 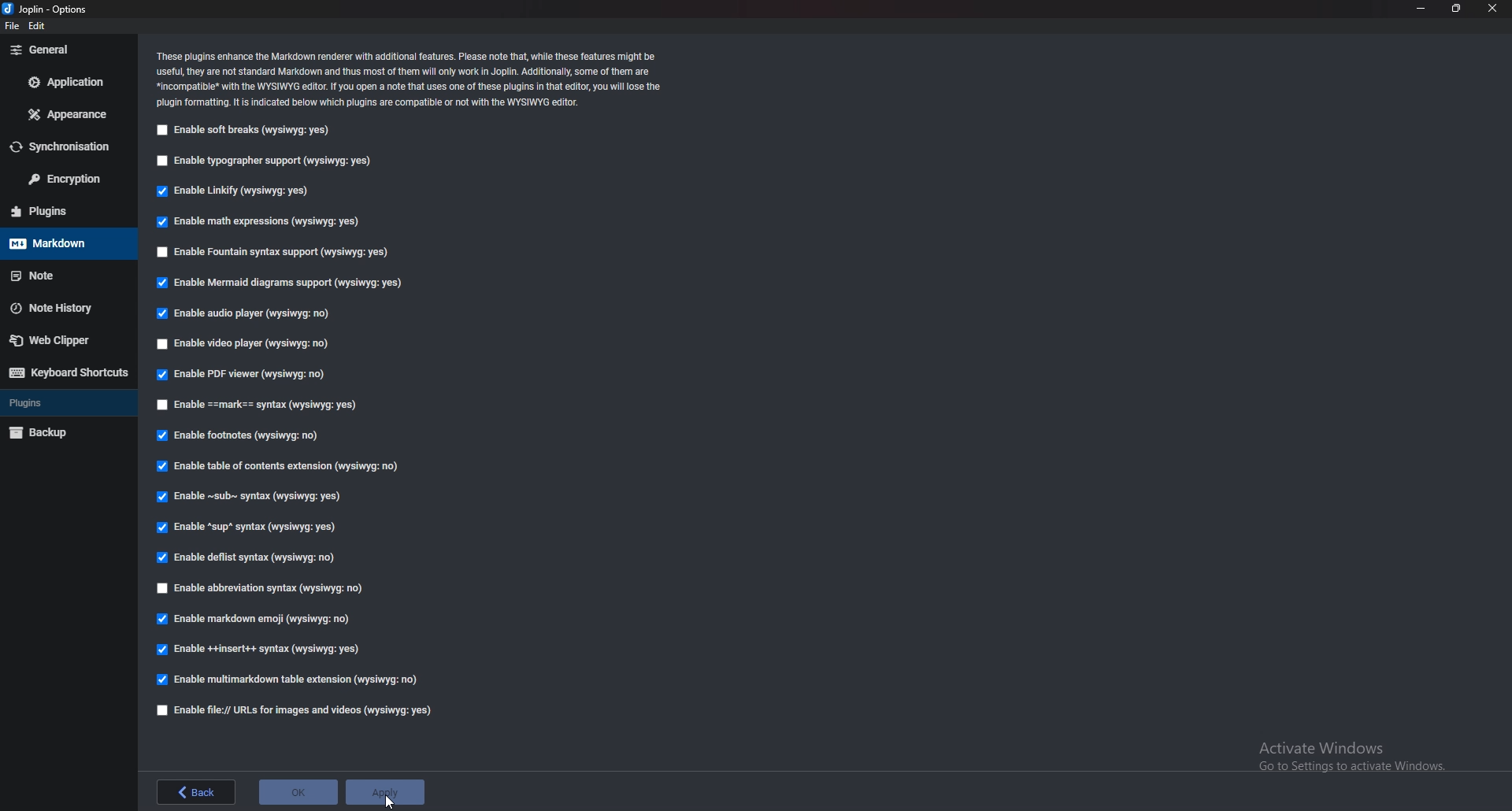 What do you see at coordinates (250, 558) in the screenshot?
I see `enable Deflist Syntax (wysiqyg:no)` at bounding box center [250, 558].